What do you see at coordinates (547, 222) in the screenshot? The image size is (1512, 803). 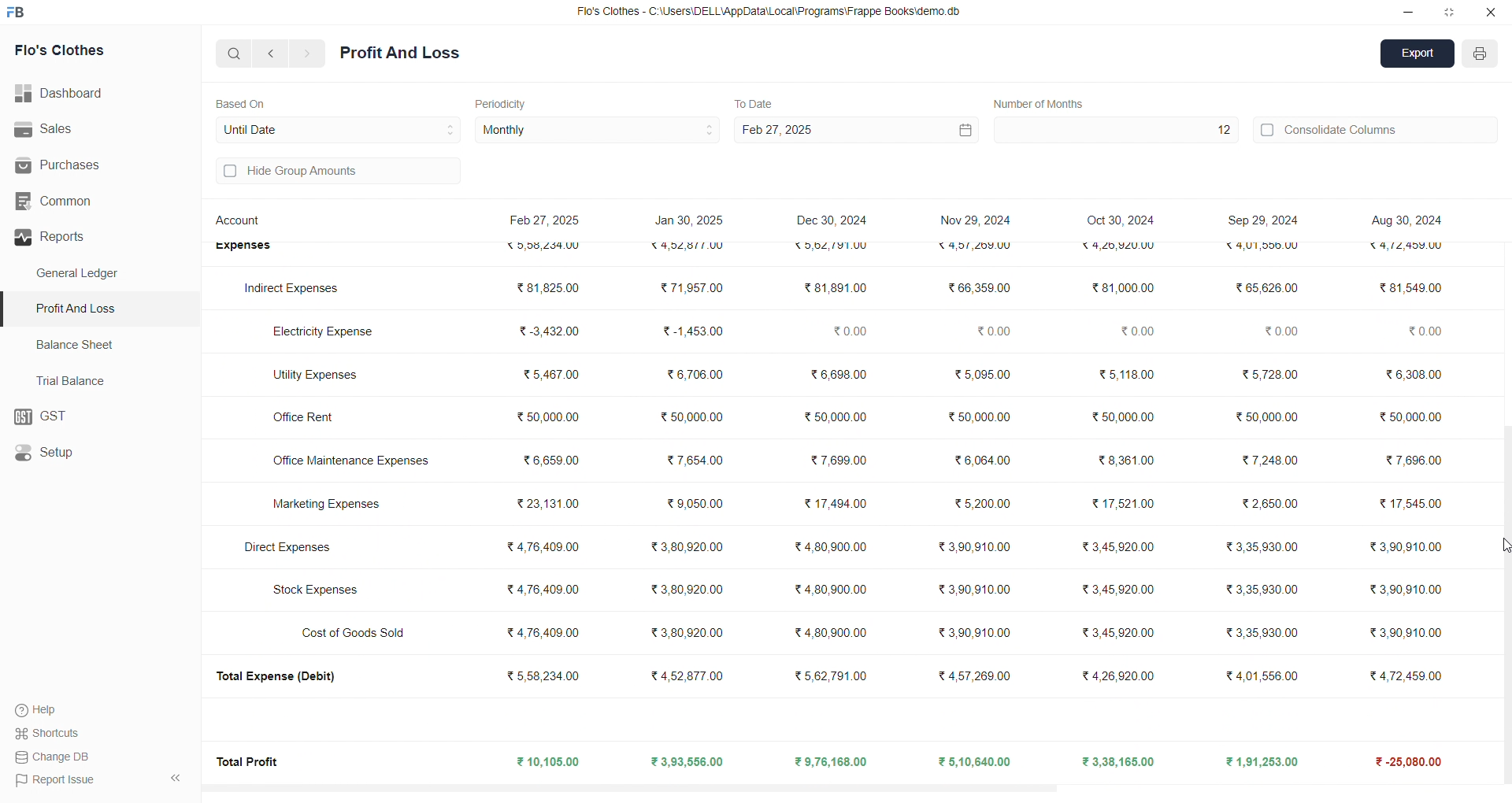 I see `Feb 27, 2025` at bounding box center [547, 222].